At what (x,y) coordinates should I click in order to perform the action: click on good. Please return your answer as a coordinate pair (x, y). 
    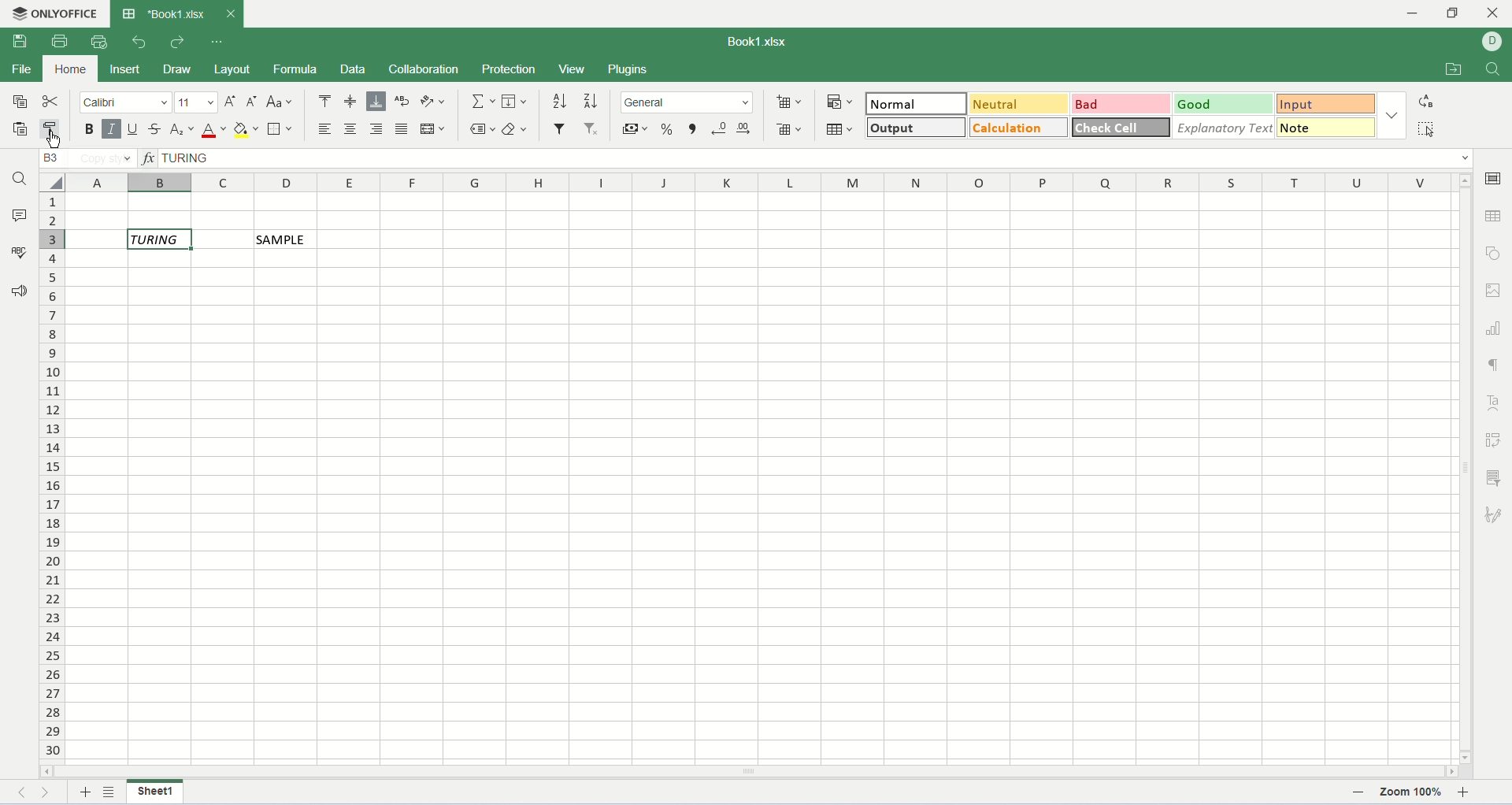
    Looking at the image, I should click on (1224, 104).